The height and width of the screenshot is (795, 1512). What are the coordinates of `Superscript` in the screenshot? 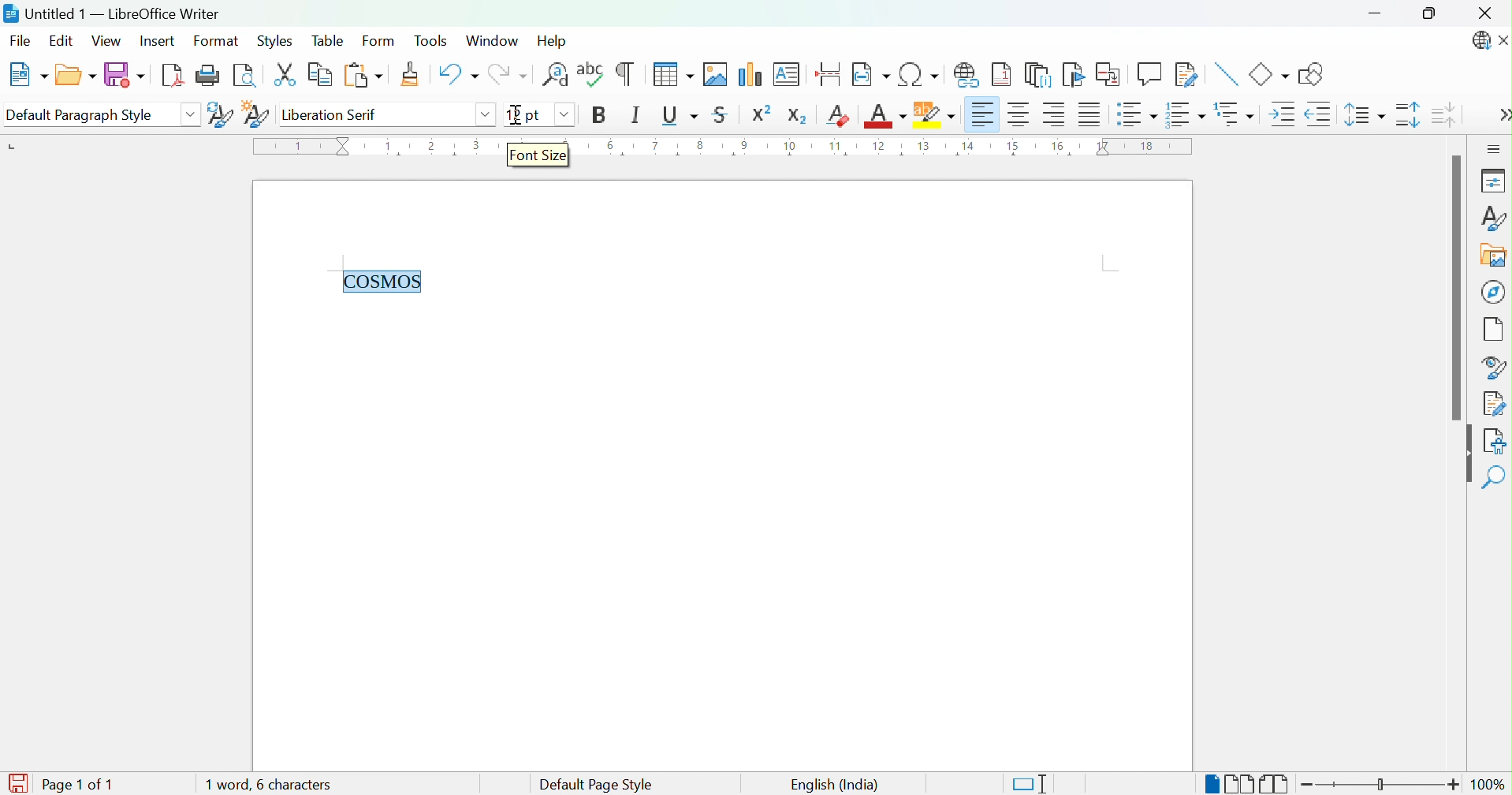 It's located at (764, 114).